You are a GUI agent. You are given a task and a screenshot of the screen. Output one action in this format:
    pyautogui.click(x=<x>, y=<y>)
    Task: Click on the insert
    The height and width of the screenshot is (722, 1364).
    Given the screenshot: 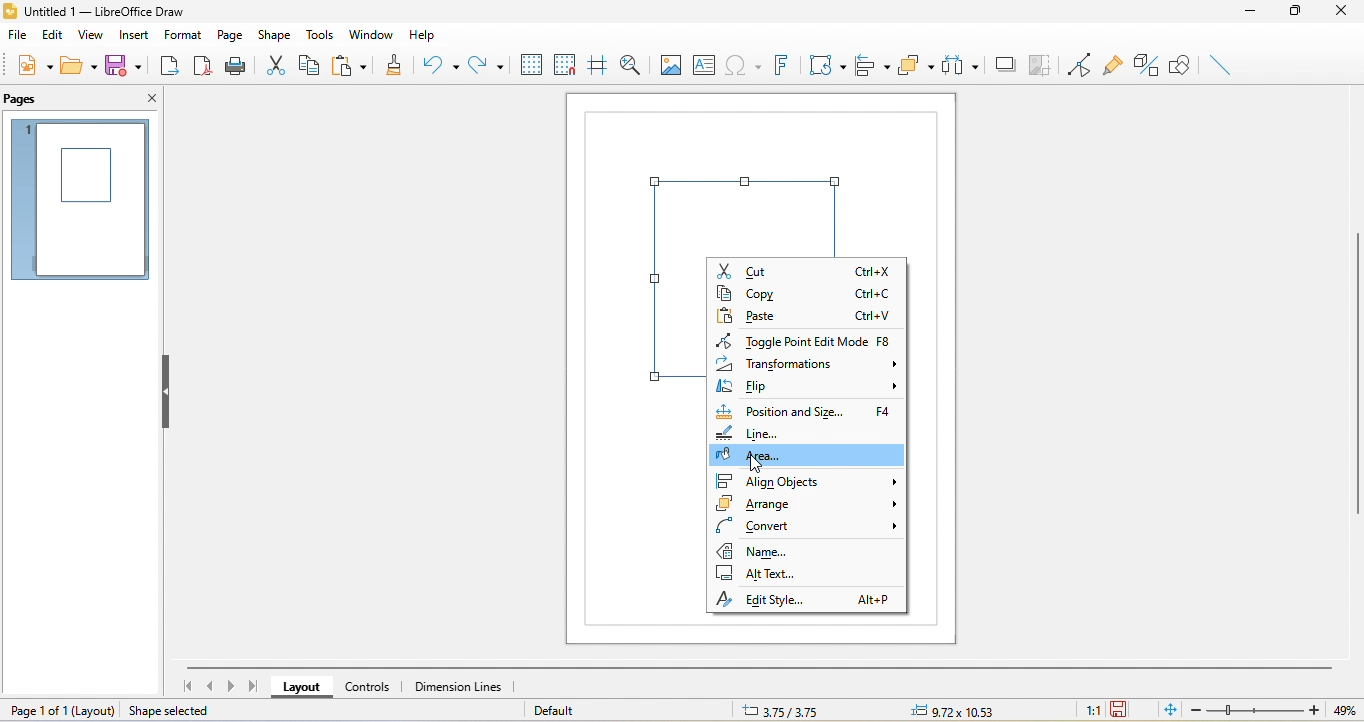 What is the action you would take?
    pyautogui.click(x=134, y=37)
    